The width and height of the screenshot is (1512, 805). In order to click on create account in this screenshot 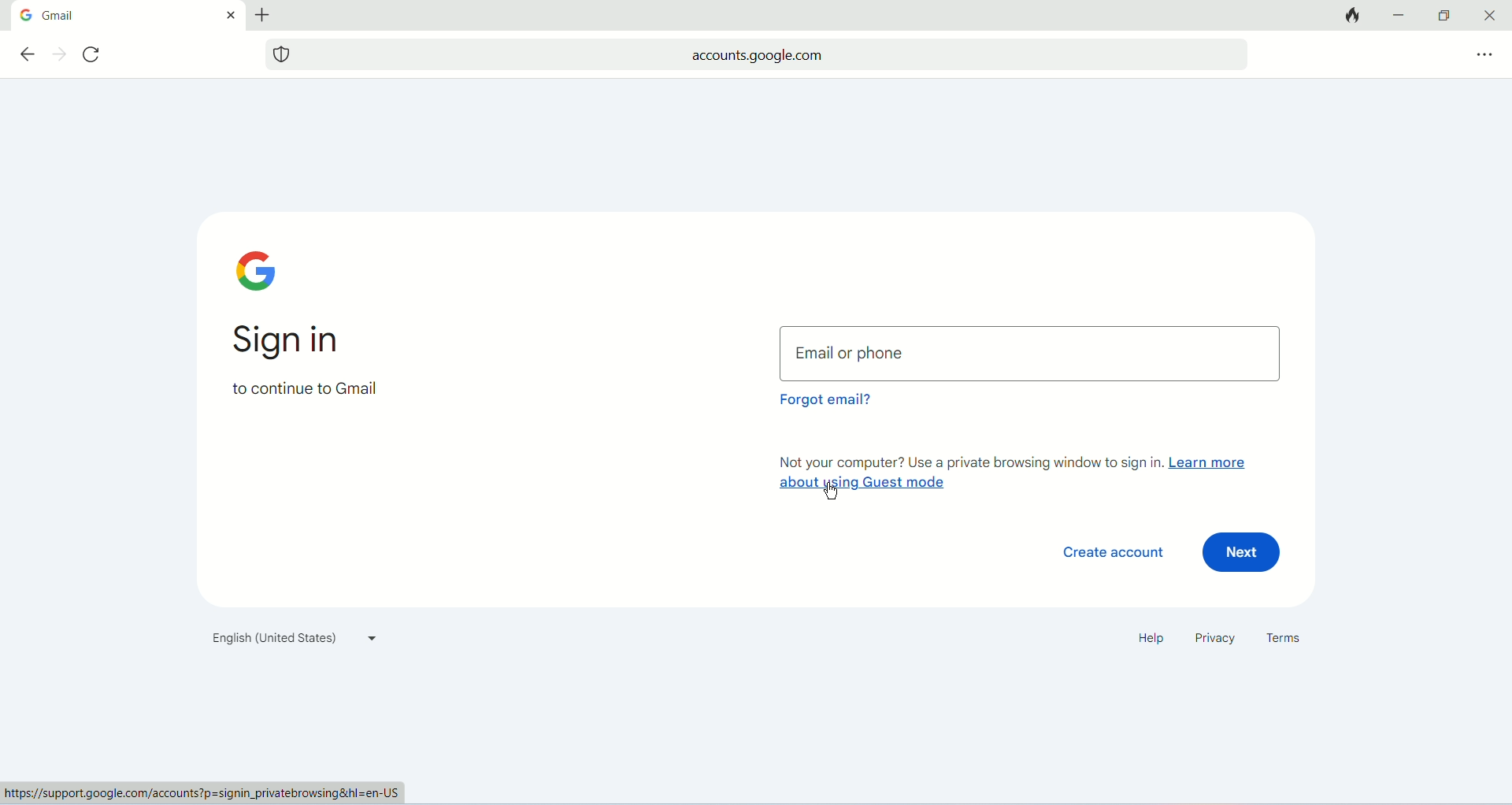, I will do `click(1104, 553)`.